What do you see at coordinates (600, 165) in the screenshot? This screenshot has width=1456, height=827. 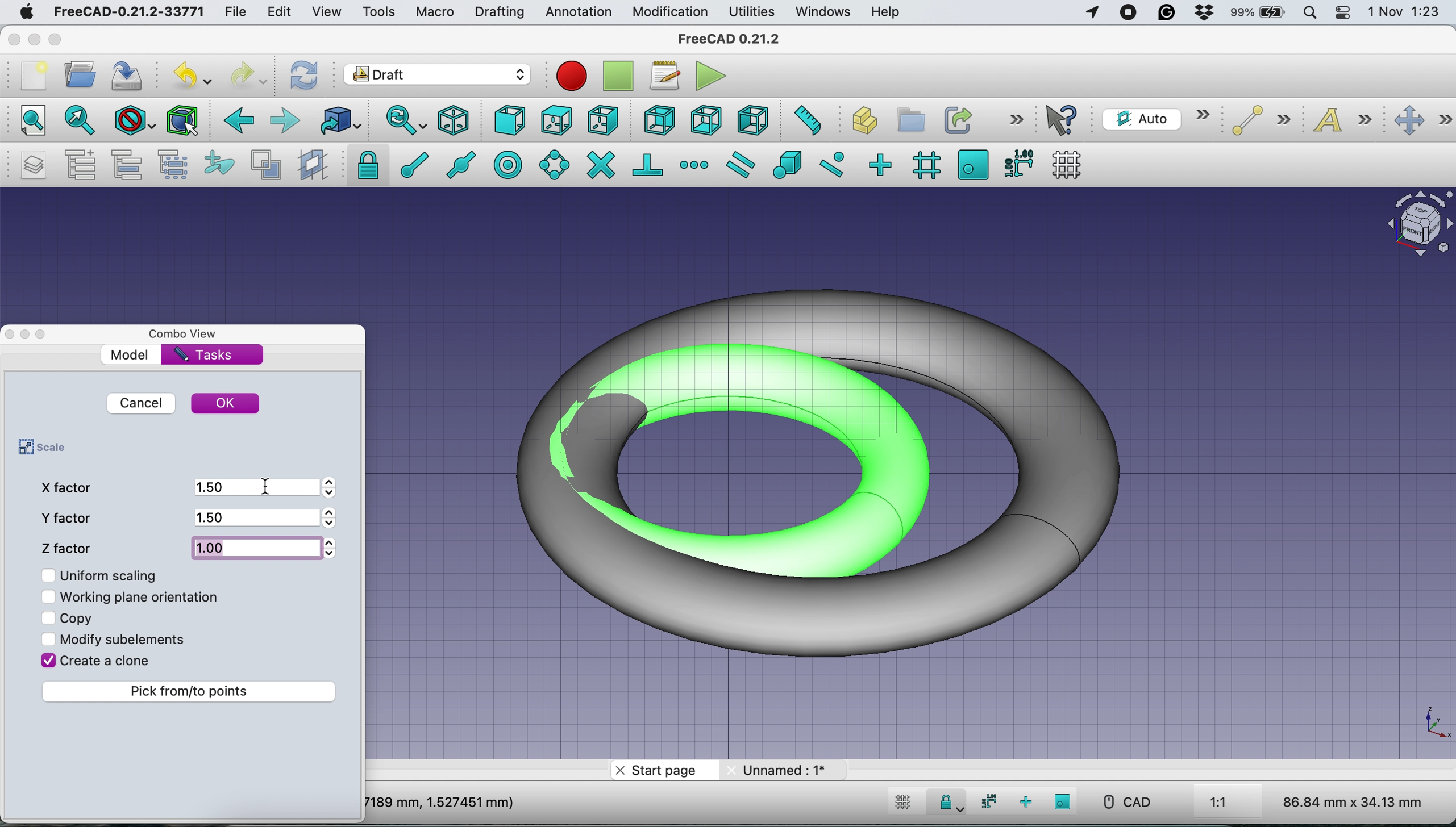 I see `snap intersection` at bounding box center [600, 165].